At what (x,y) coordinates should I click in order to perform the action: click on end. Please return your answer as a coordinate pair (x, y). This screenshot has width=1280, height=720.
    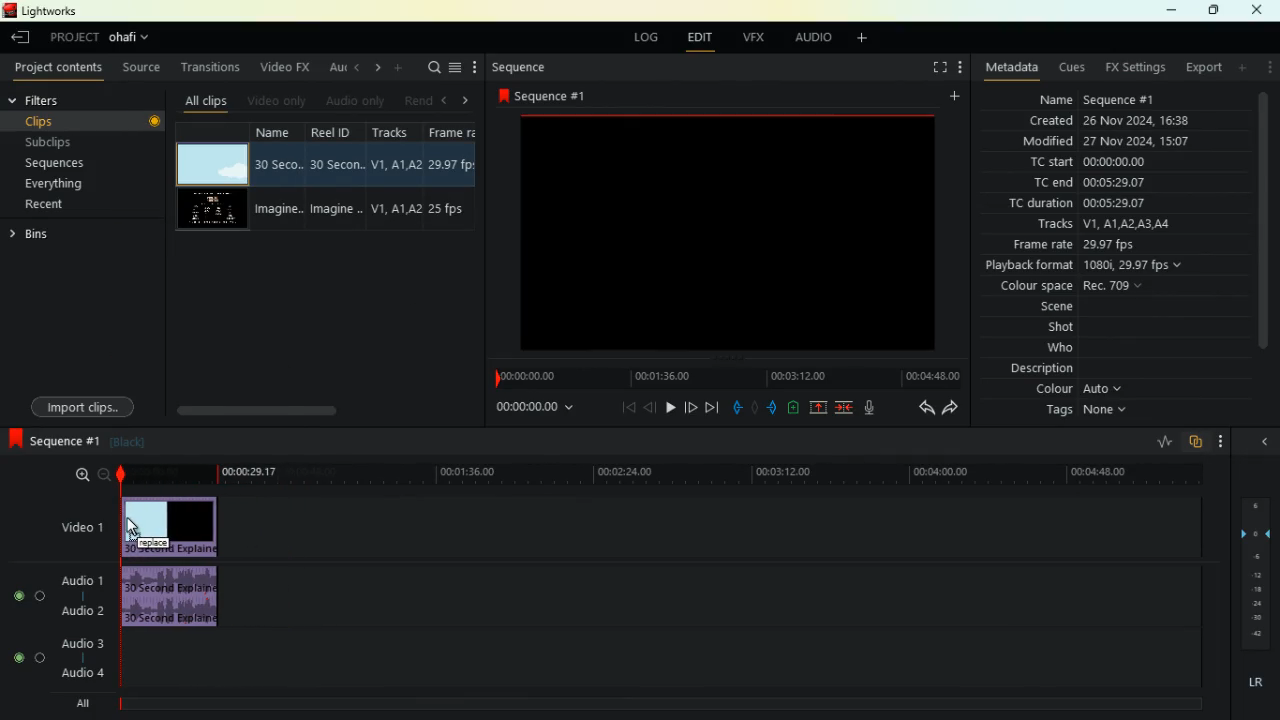
    Looking at the image, I should click on (714, 407).